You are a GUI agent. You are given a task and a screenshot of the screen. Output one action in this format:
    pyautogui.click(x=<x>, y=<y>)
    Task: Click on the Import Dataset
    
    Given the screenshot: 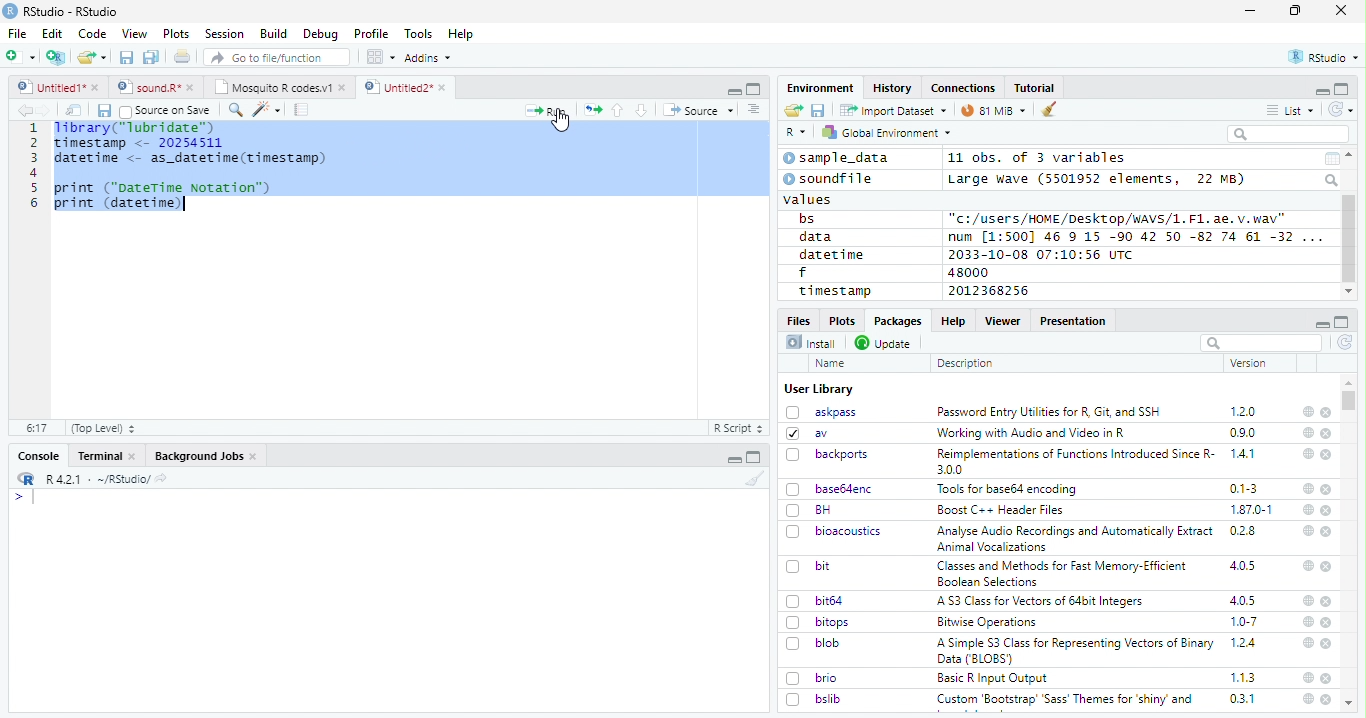 What is the action you would take?
    pyautogui.click(x=893, y=110)
    